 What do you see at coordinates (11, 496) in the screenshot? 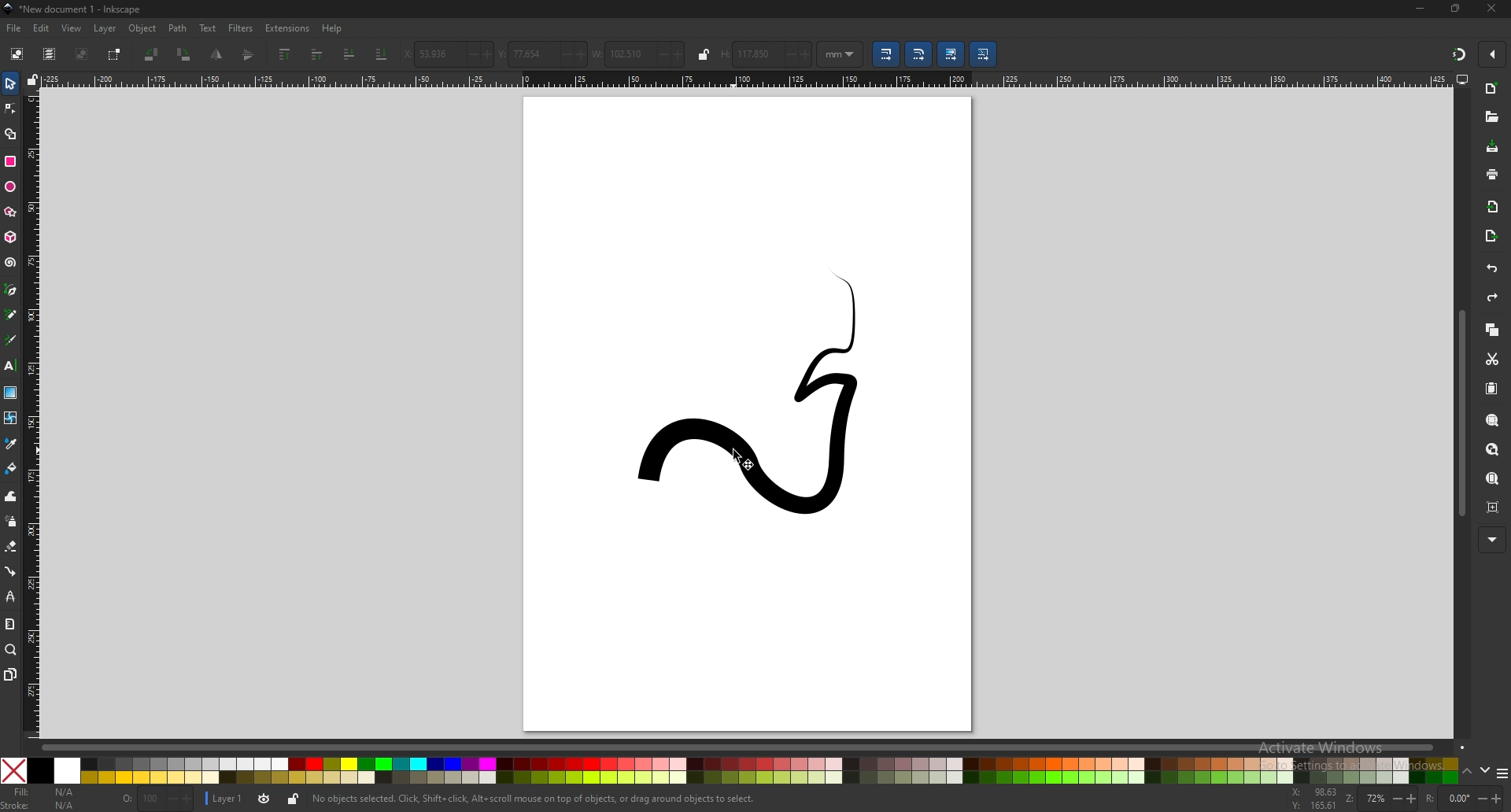
I see `tweak` at bounding box center [11, 496].